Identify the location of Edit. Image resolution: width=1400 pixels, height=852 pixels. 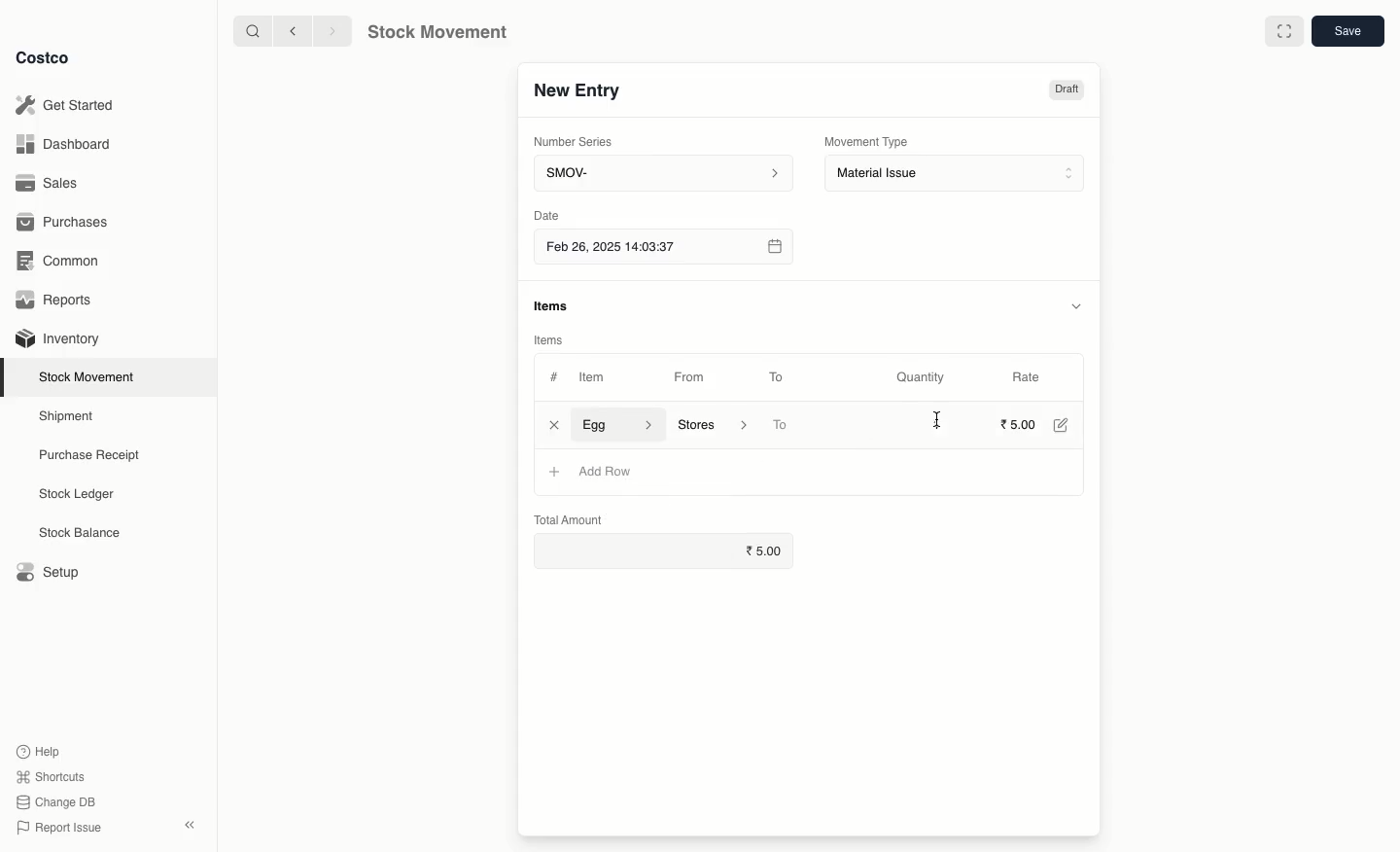
(1066, 427).